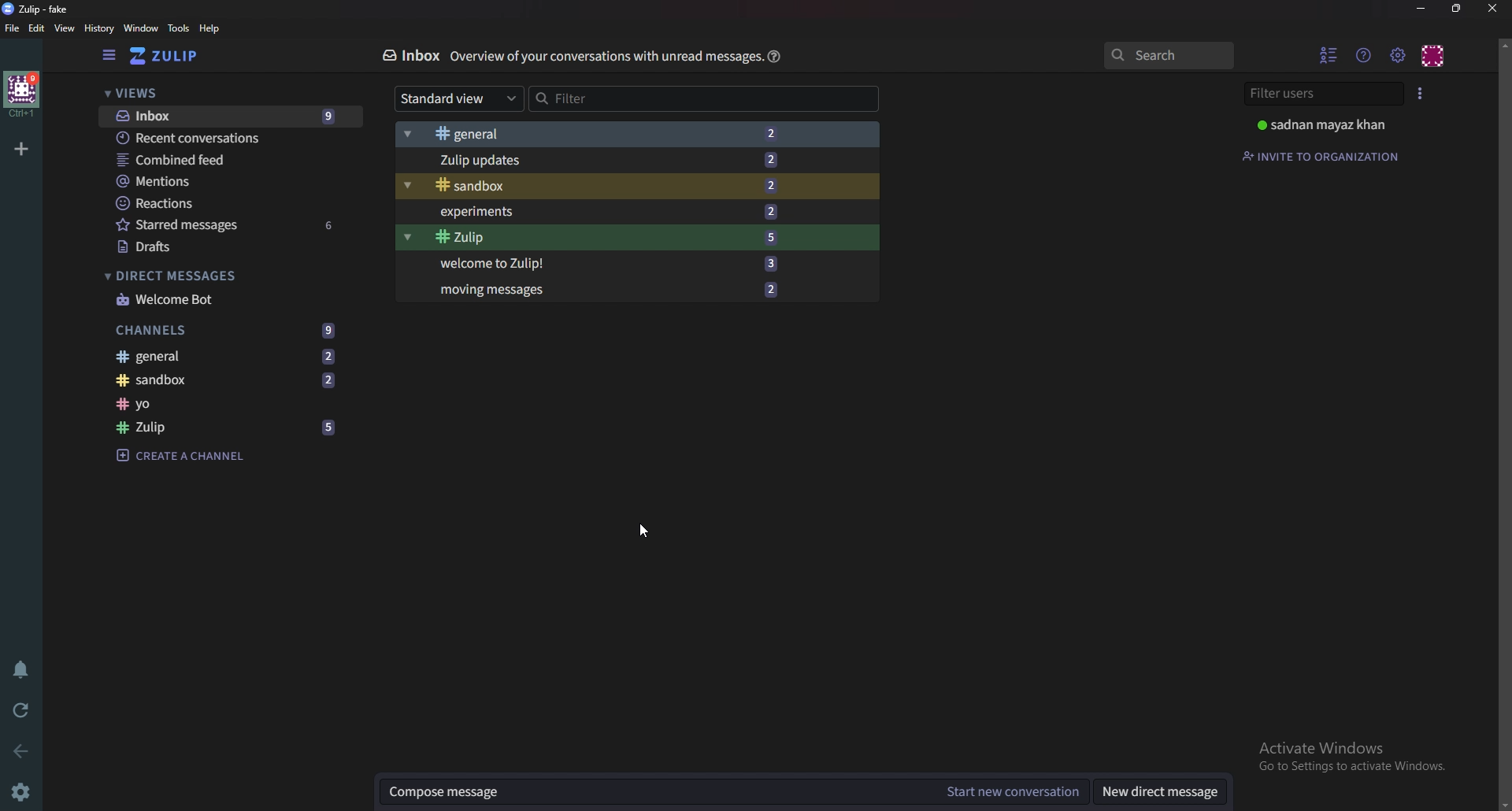 The image size is (1512, 811). Describe the element at coordinates (1362, 54) in the screenshot. I see `Help menu` at that location.